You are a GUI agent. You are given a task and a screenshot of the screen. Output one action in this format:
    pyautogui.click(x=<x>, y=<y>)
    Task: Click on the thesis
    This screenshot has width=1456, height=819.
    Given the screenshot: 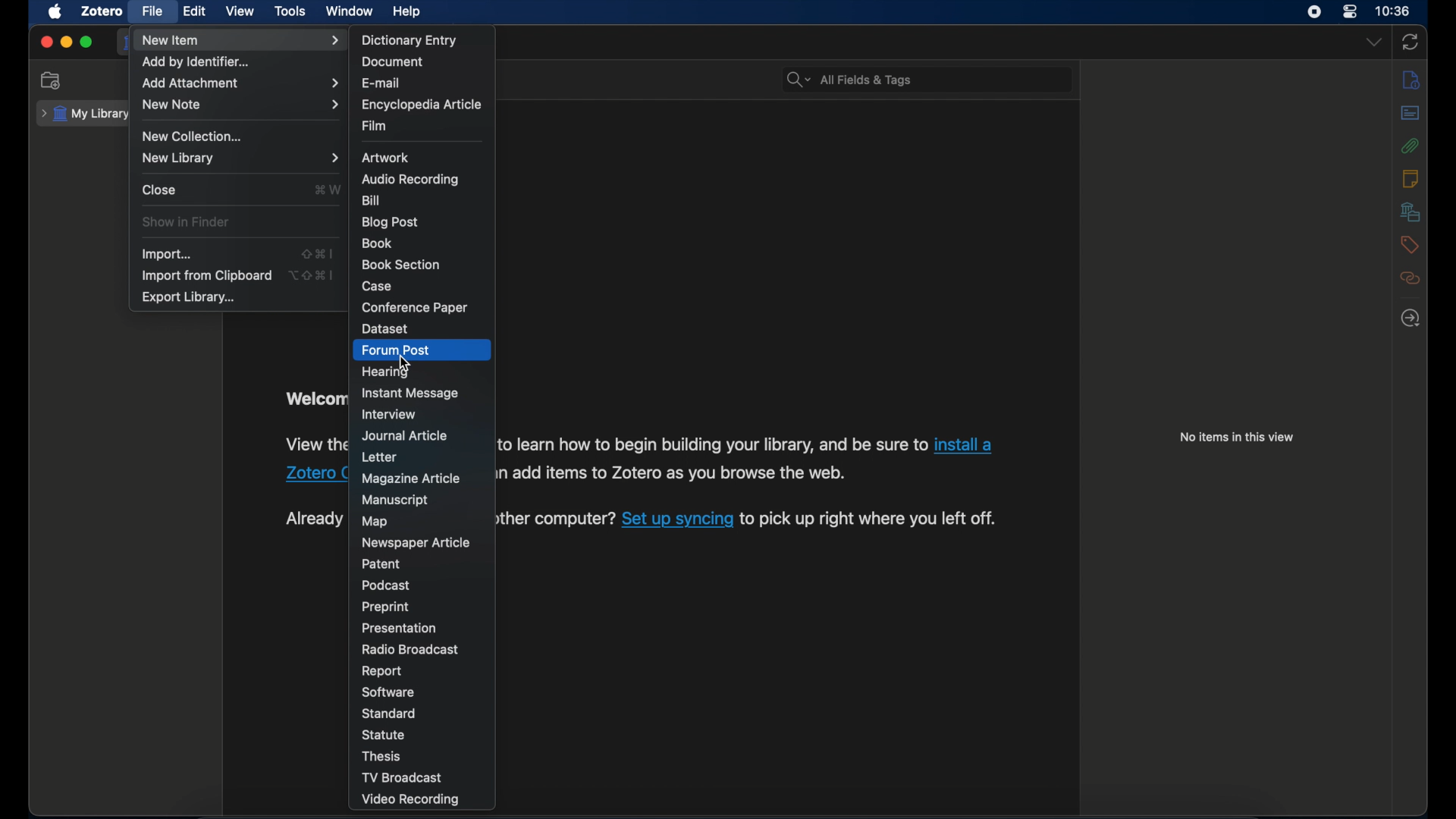 What is the action you would take?
    pyautogui.click(x=383, y=756)
    